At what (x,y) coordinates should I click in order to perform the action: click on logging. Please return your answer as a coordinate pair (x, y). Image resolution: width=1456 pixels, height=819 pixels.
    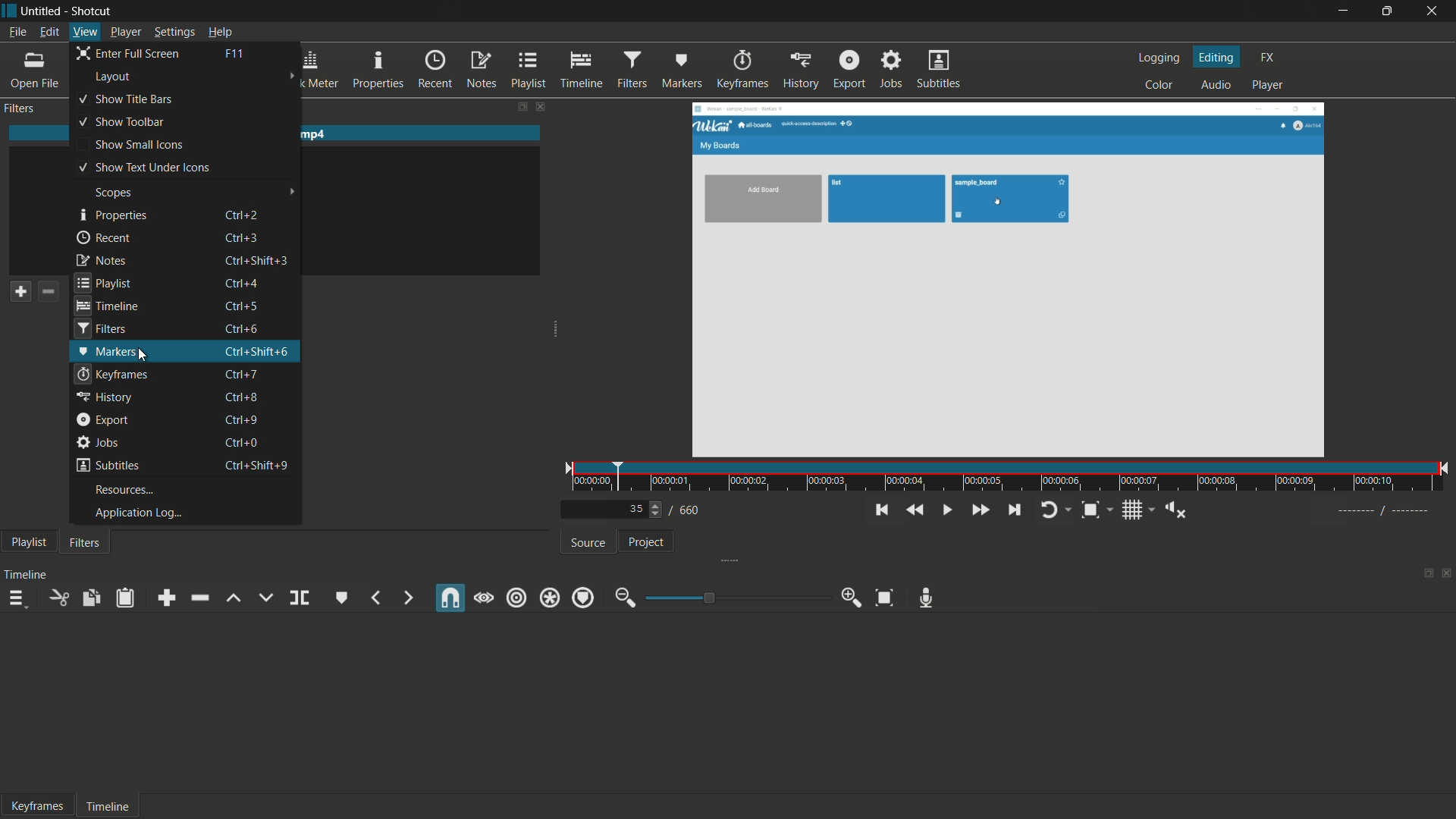
    Looking at the image, I should click on (1159, 59).